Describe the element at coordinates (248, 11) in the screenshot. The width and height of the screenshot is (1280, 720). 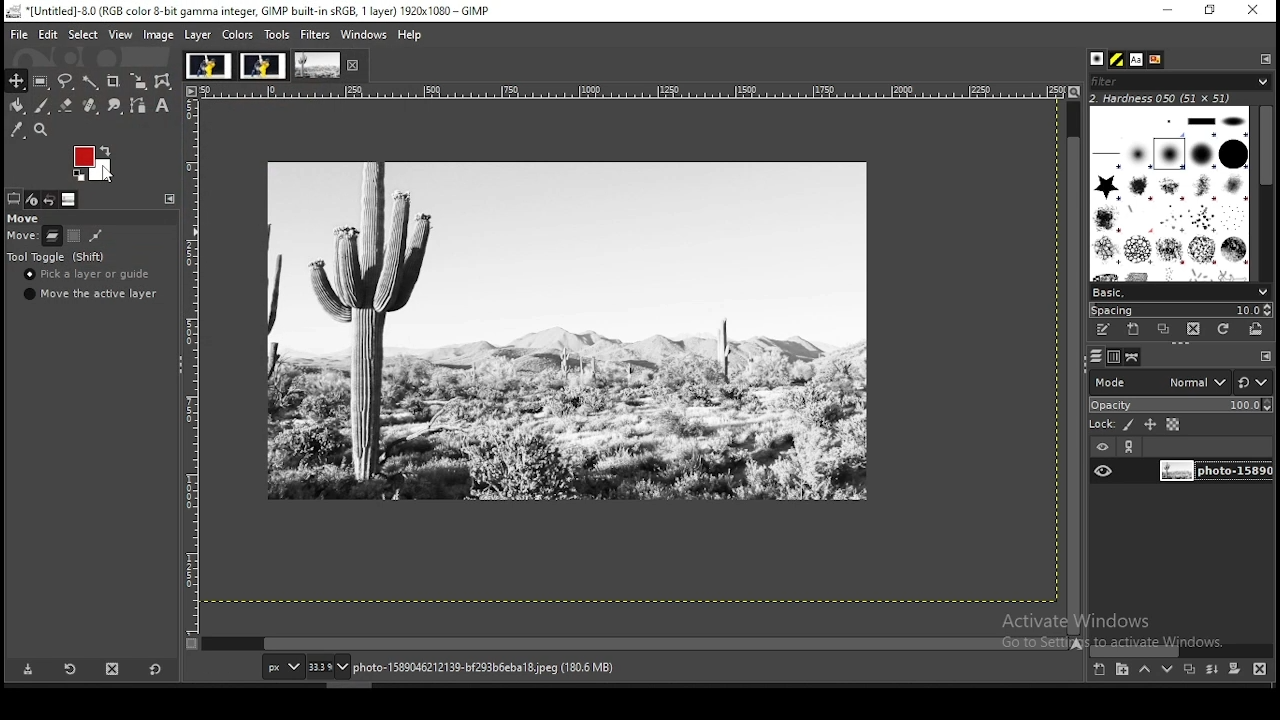
I see `icon and file name` at that location.